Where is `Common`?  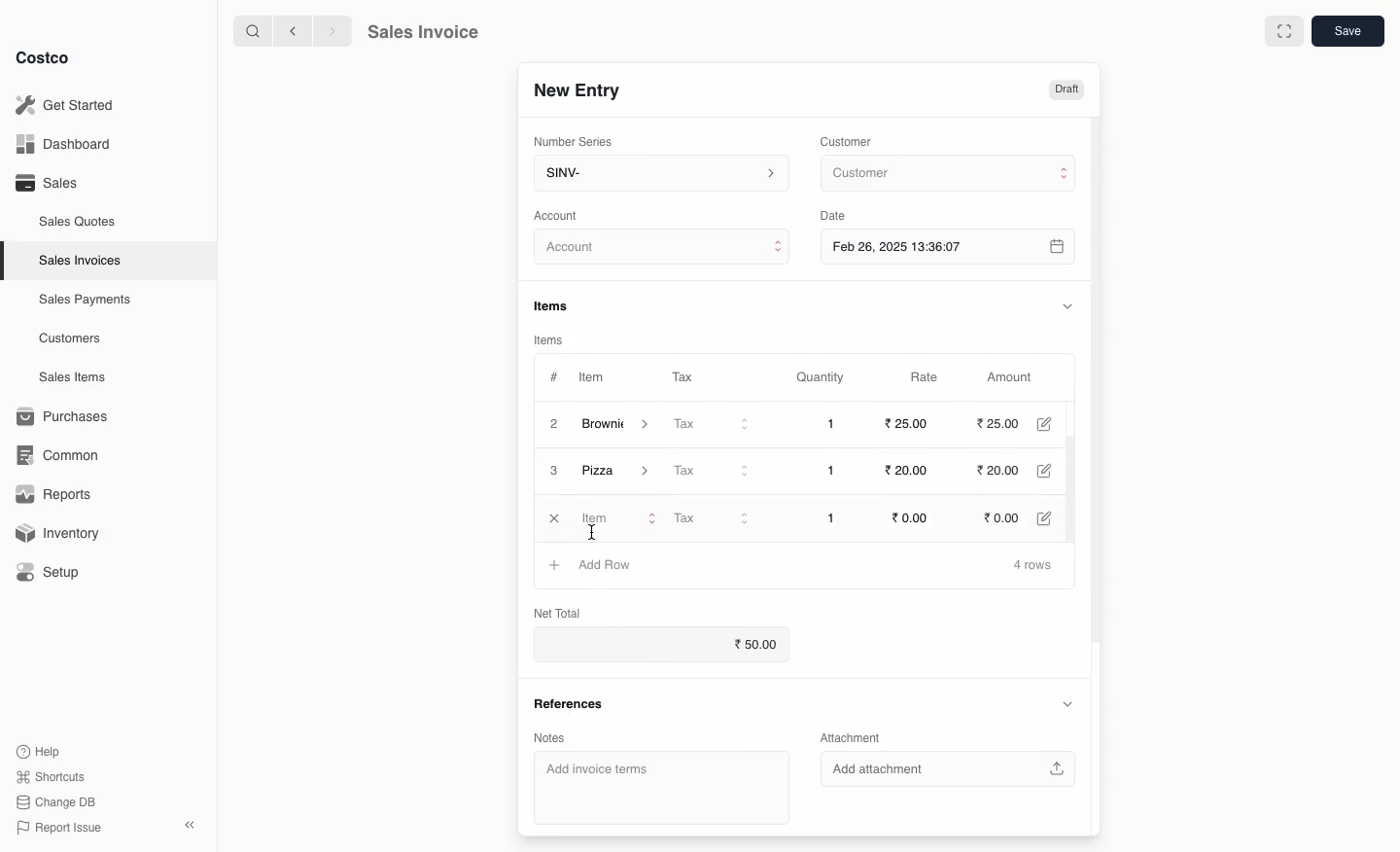 Common is located at coordinates (66, 455).